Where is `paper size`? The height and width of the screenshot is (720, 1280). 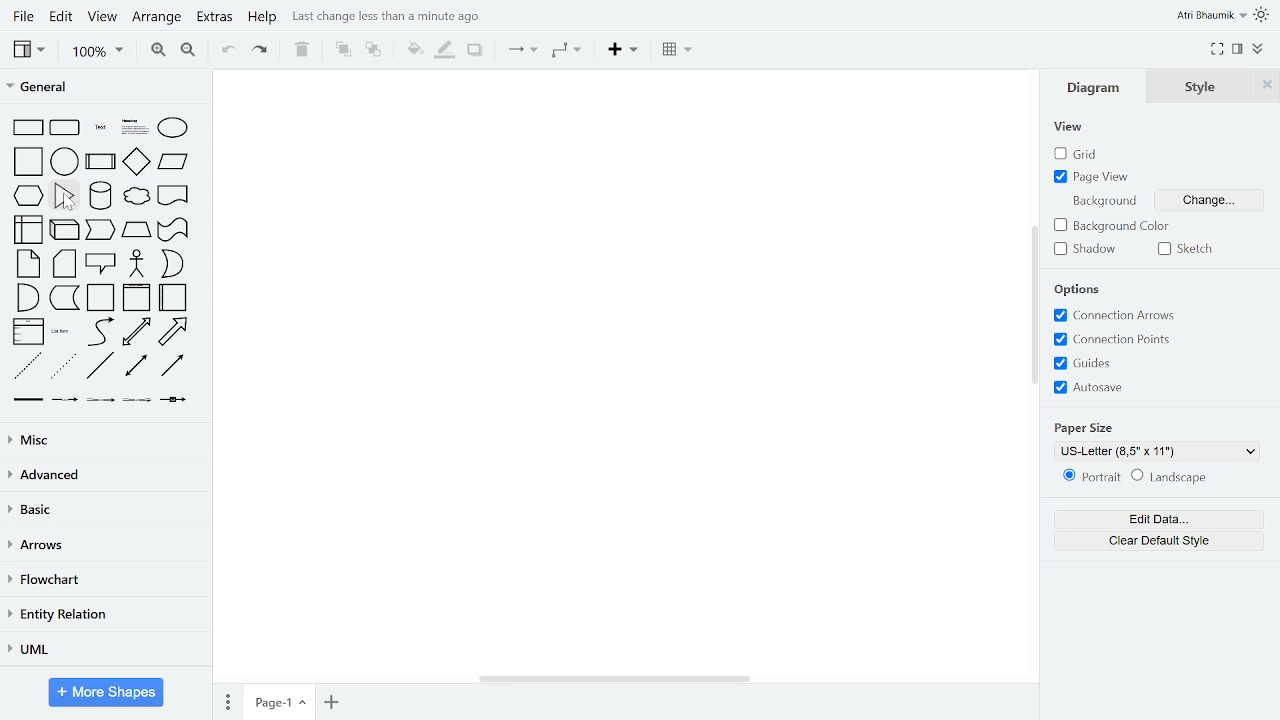 paper size is located at coordinates (1083, 426).